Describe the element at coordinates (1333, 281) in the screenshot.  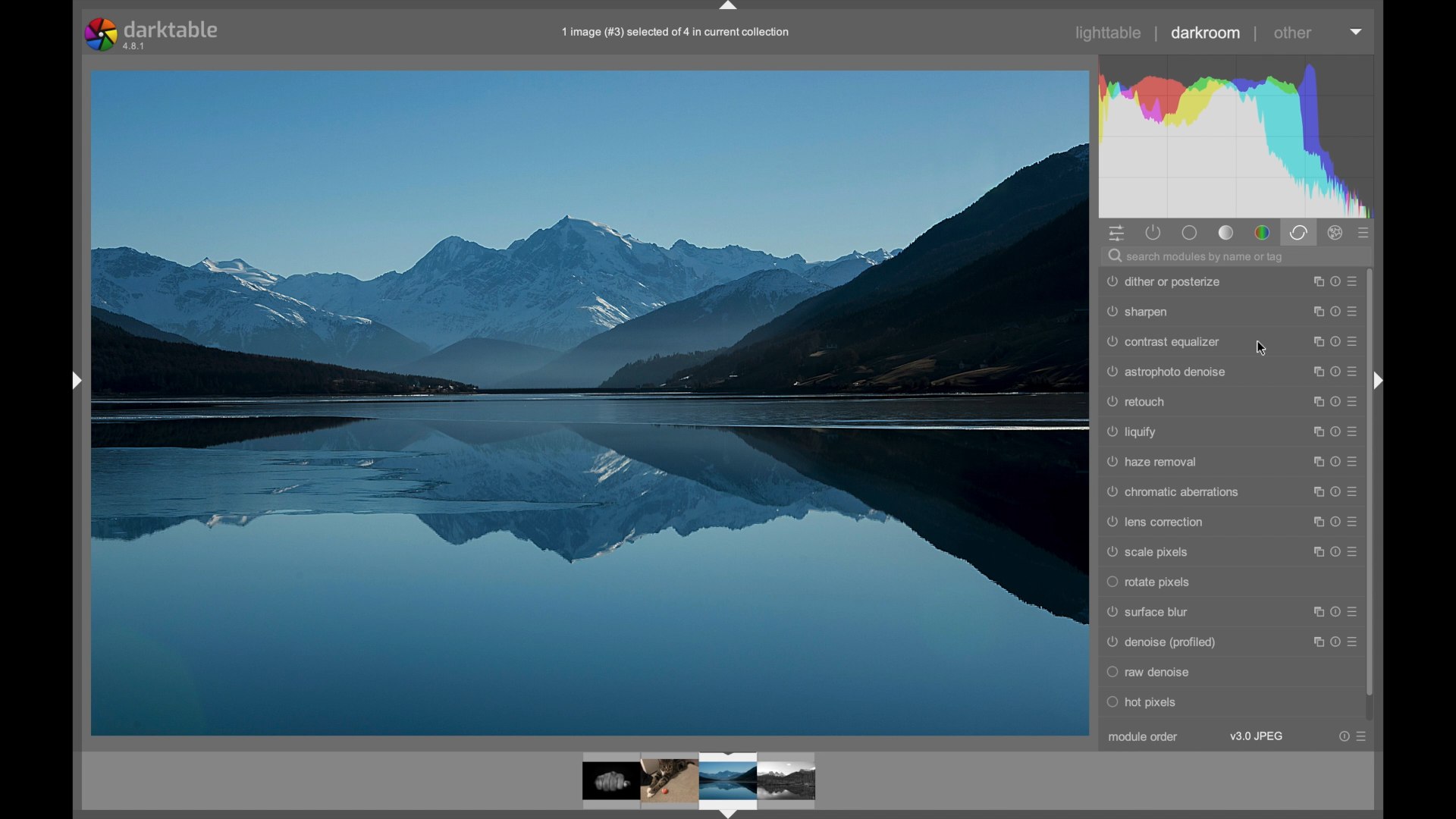
I see `more options` at that location.